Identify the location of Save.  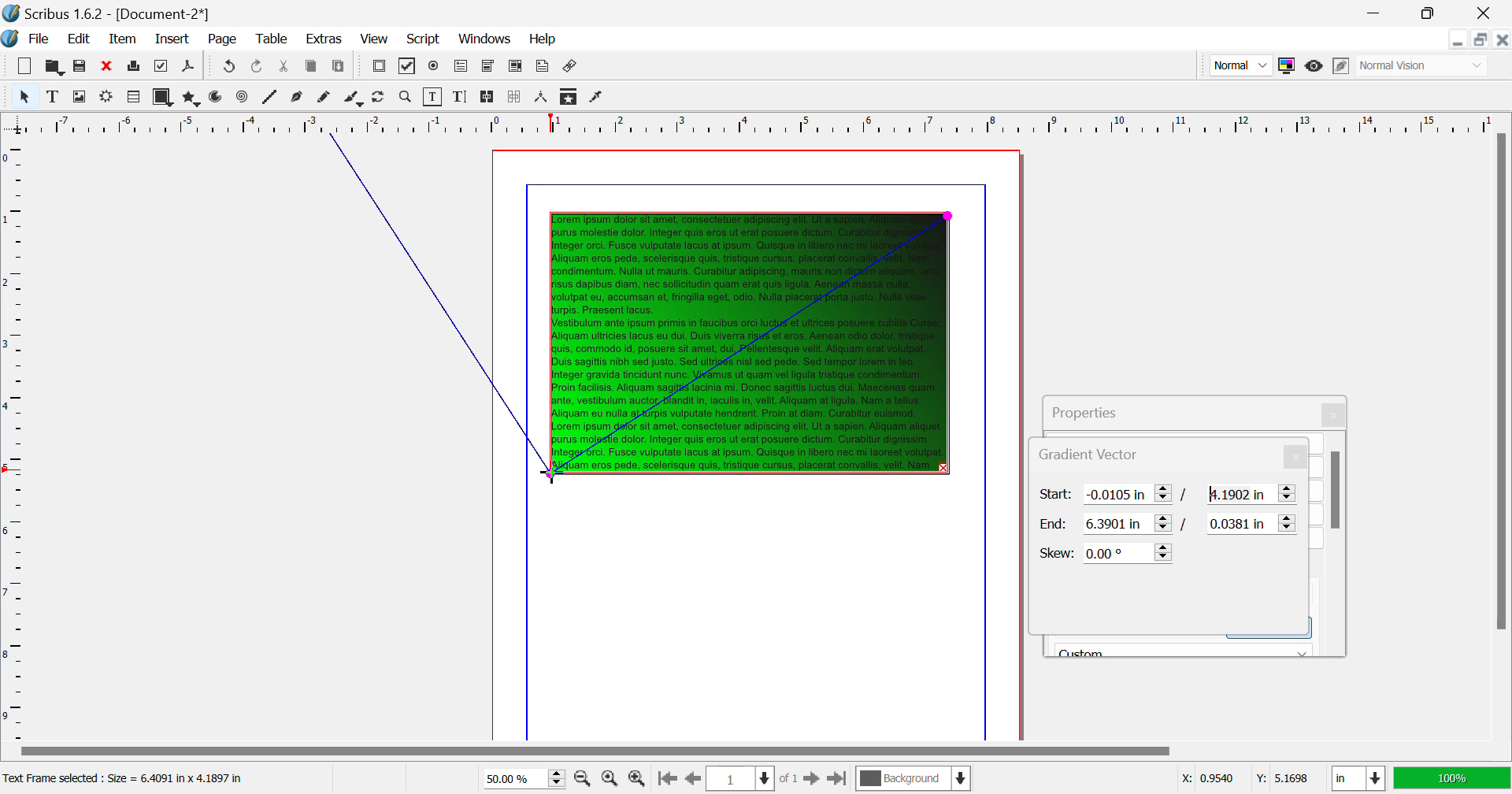
(80, 66).